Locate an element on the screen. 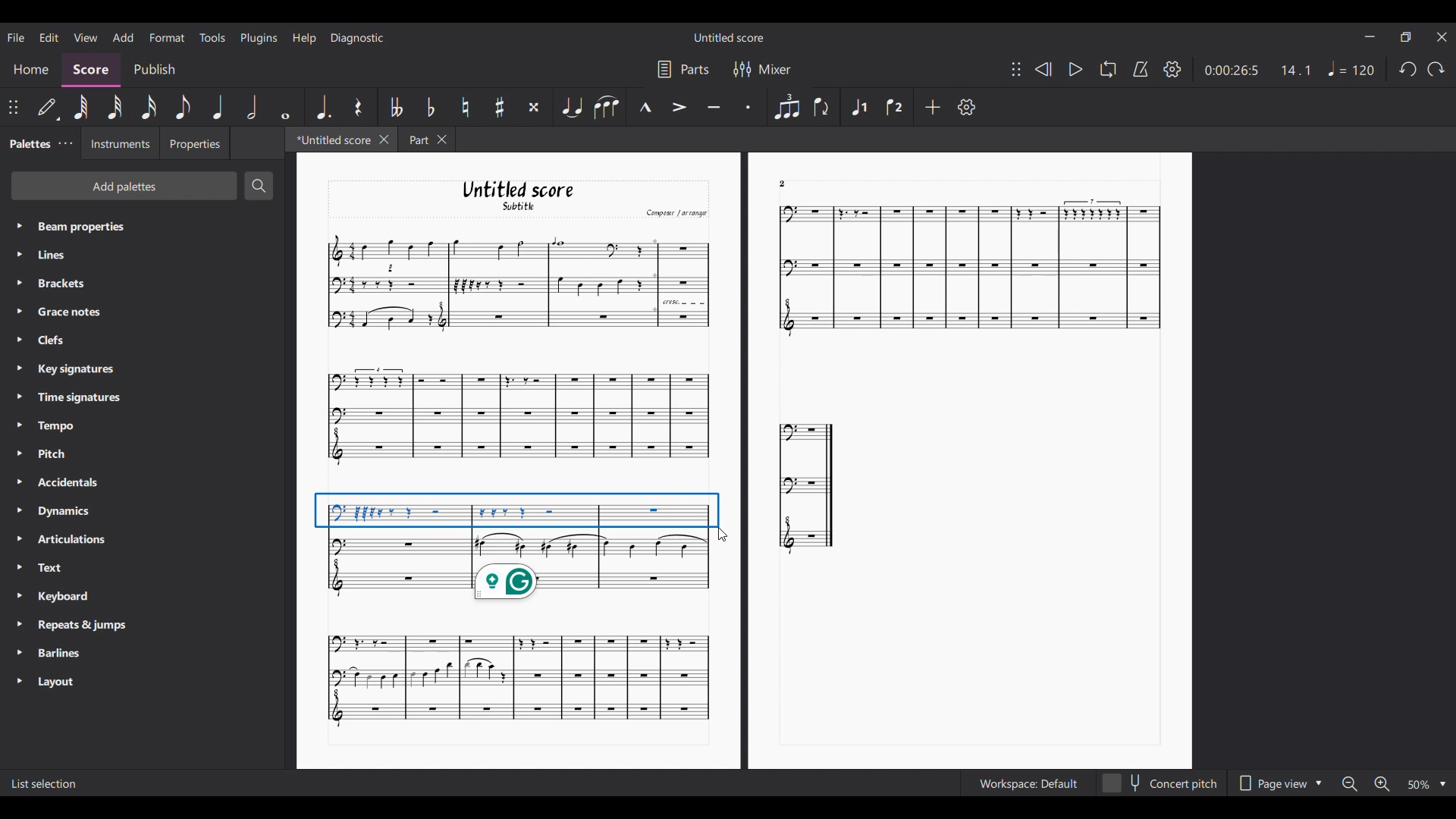 This screenshot has height=819, width=1456. Loop playback is located at coordinates (1108, 68).